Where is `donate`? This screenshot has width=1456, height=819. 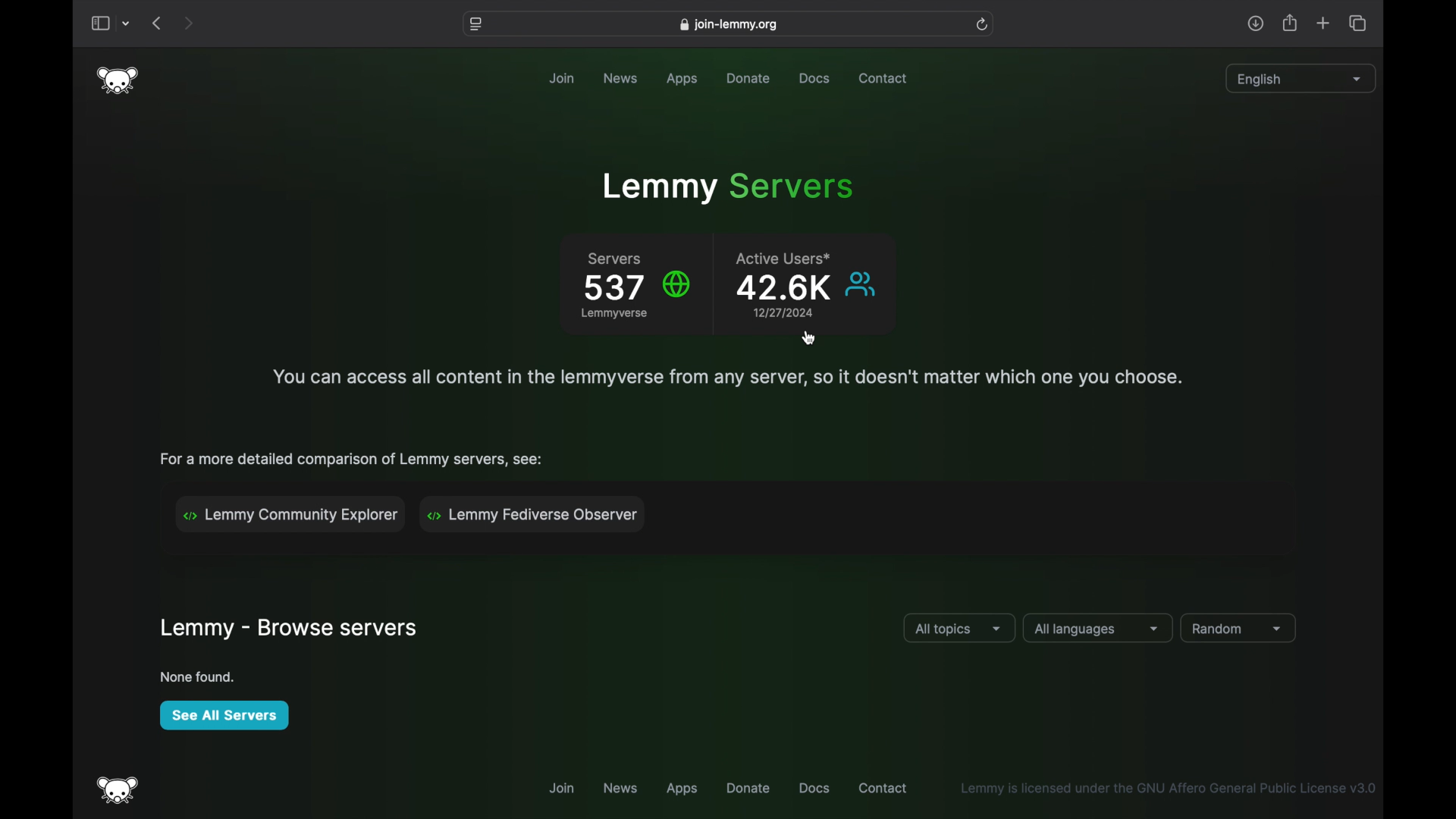 donate is located at coordinates (749, 788).